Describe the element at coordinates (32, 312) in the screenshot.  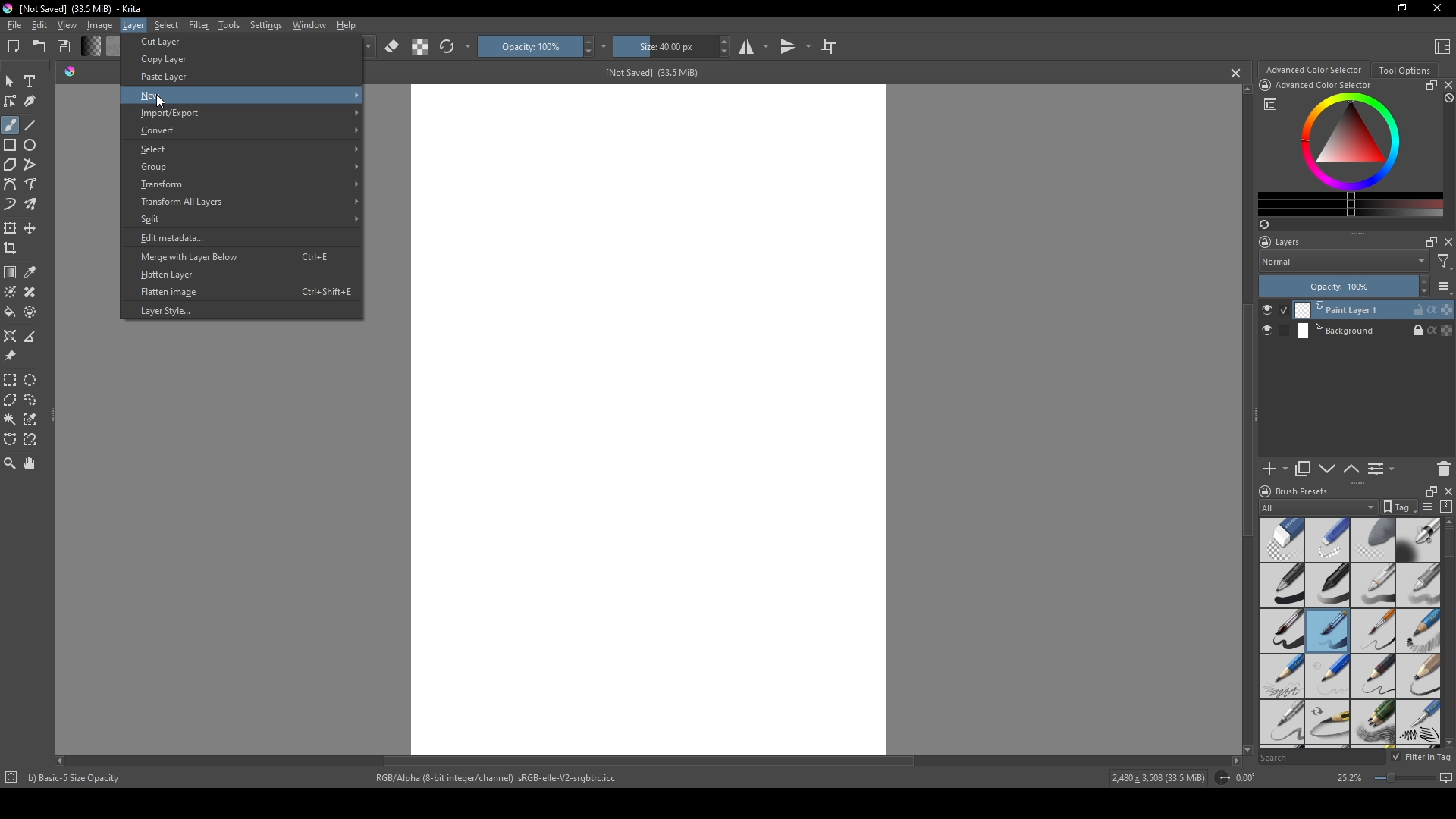
I see `enclose and fill` at that location.